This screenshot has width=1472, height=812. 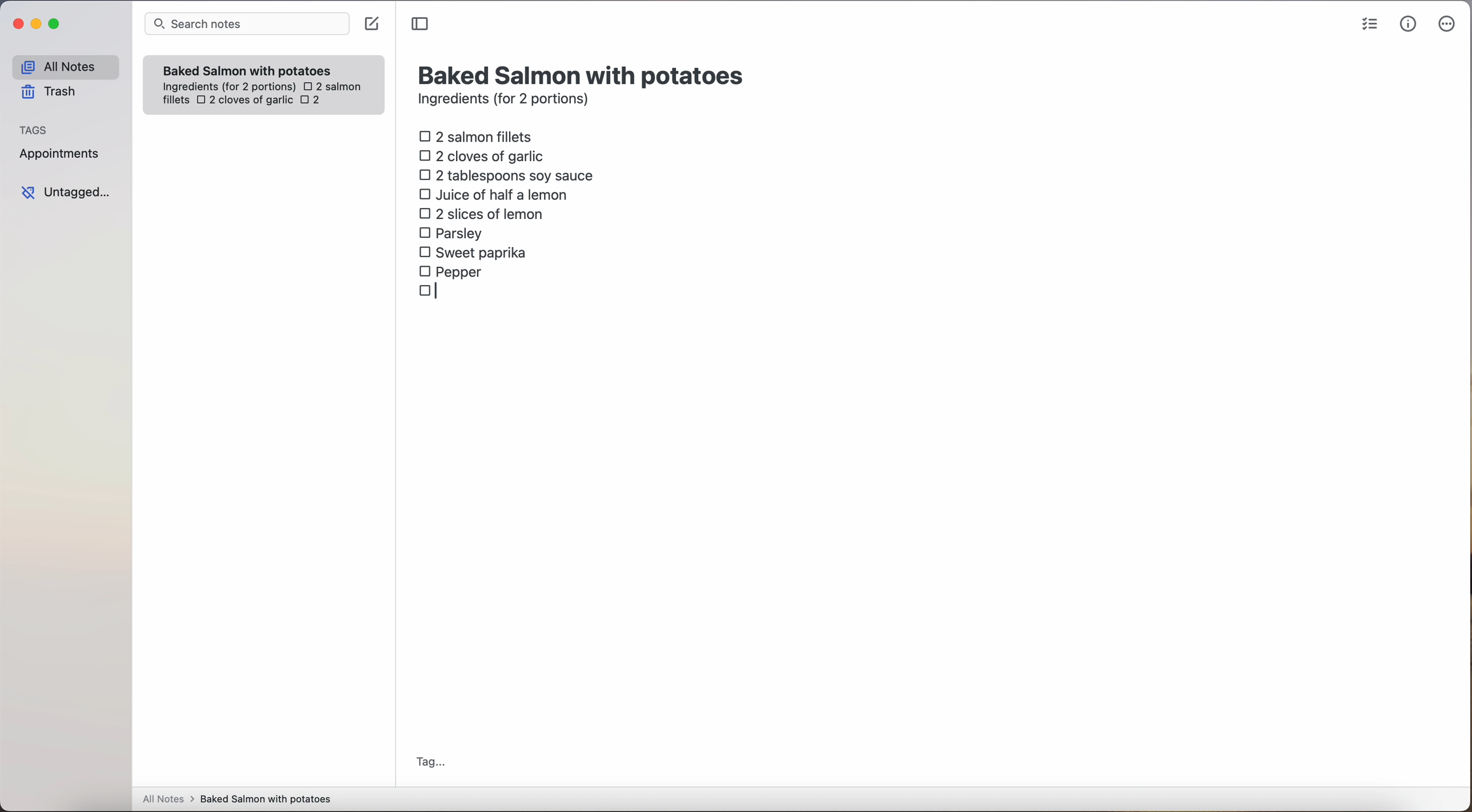 I want to click on maximize, so click(x=56, y=23).